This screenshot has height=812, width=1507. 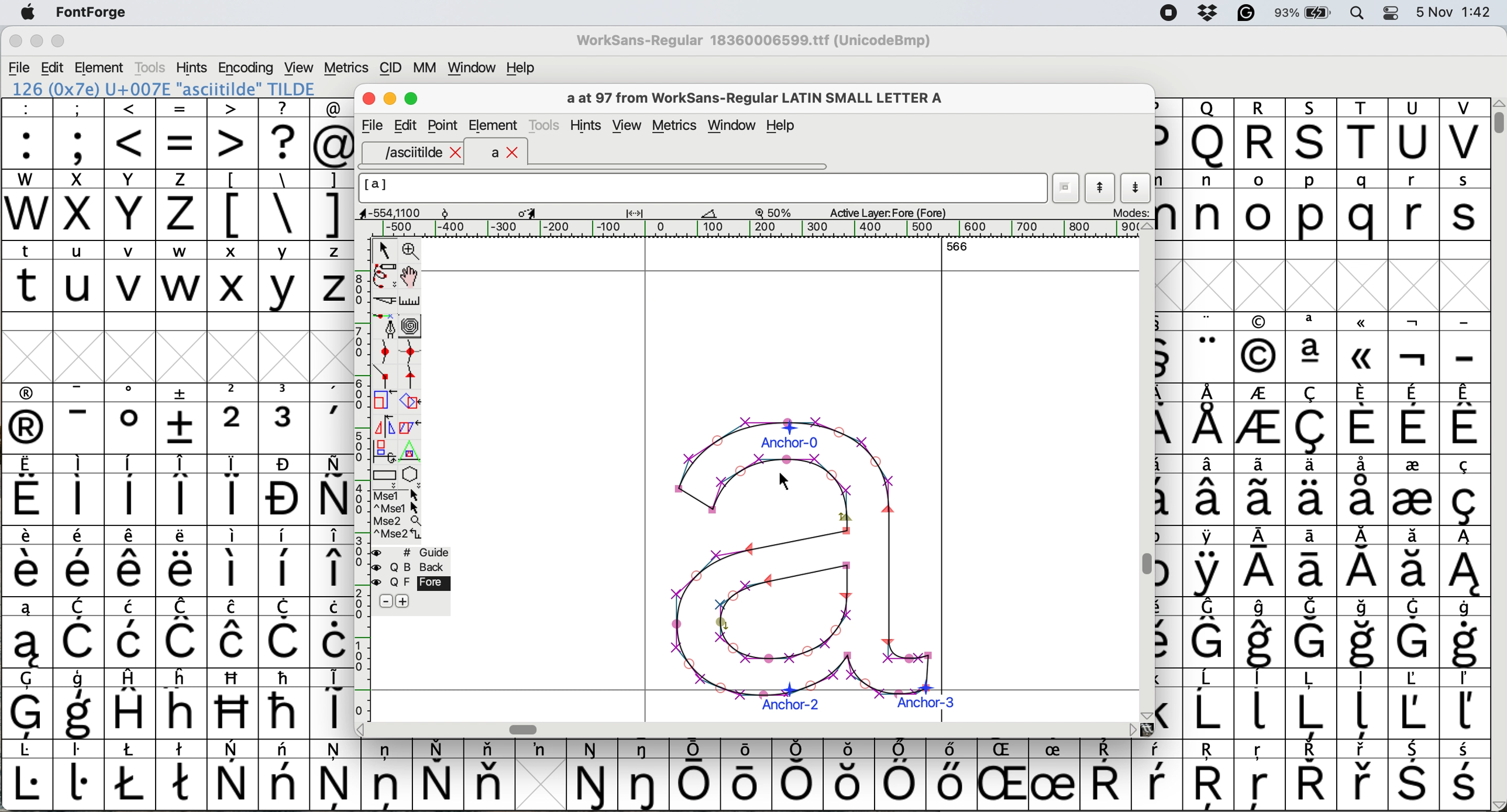 I want to click on symbol, so click(x=1466, y=418).